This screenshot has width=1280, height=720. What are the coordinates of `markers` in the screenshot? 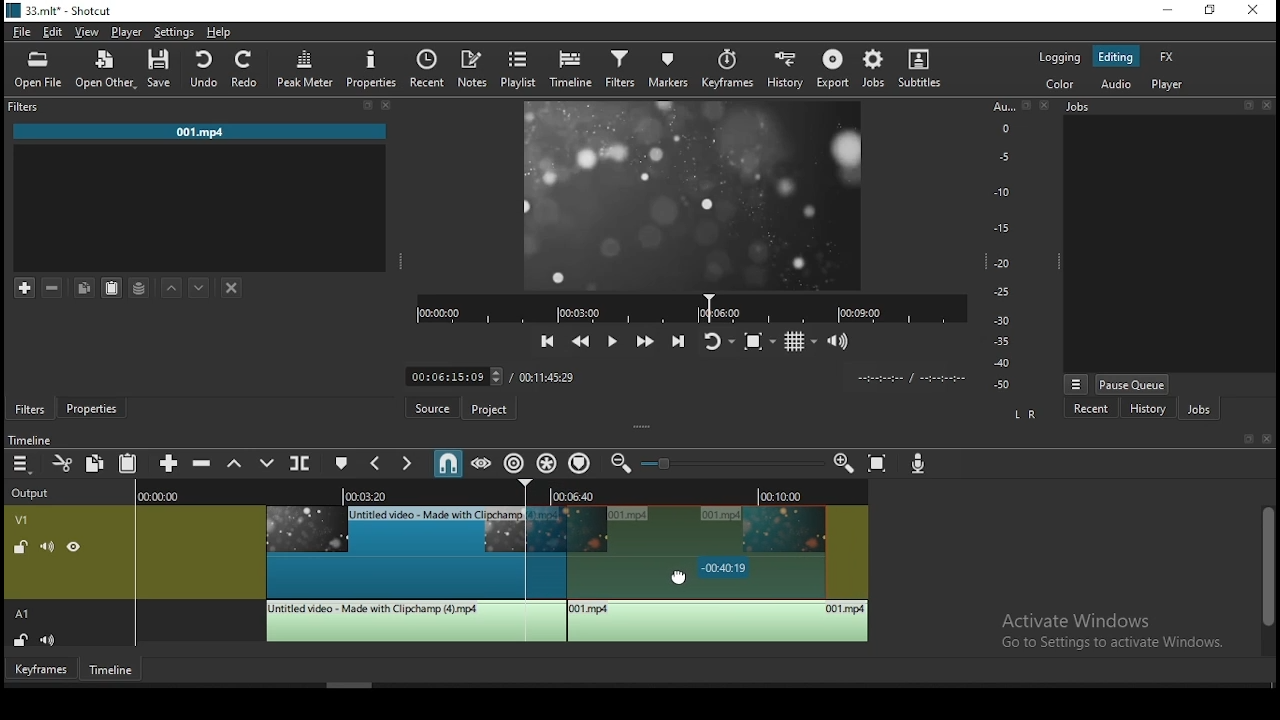 It's located at (670, 70).